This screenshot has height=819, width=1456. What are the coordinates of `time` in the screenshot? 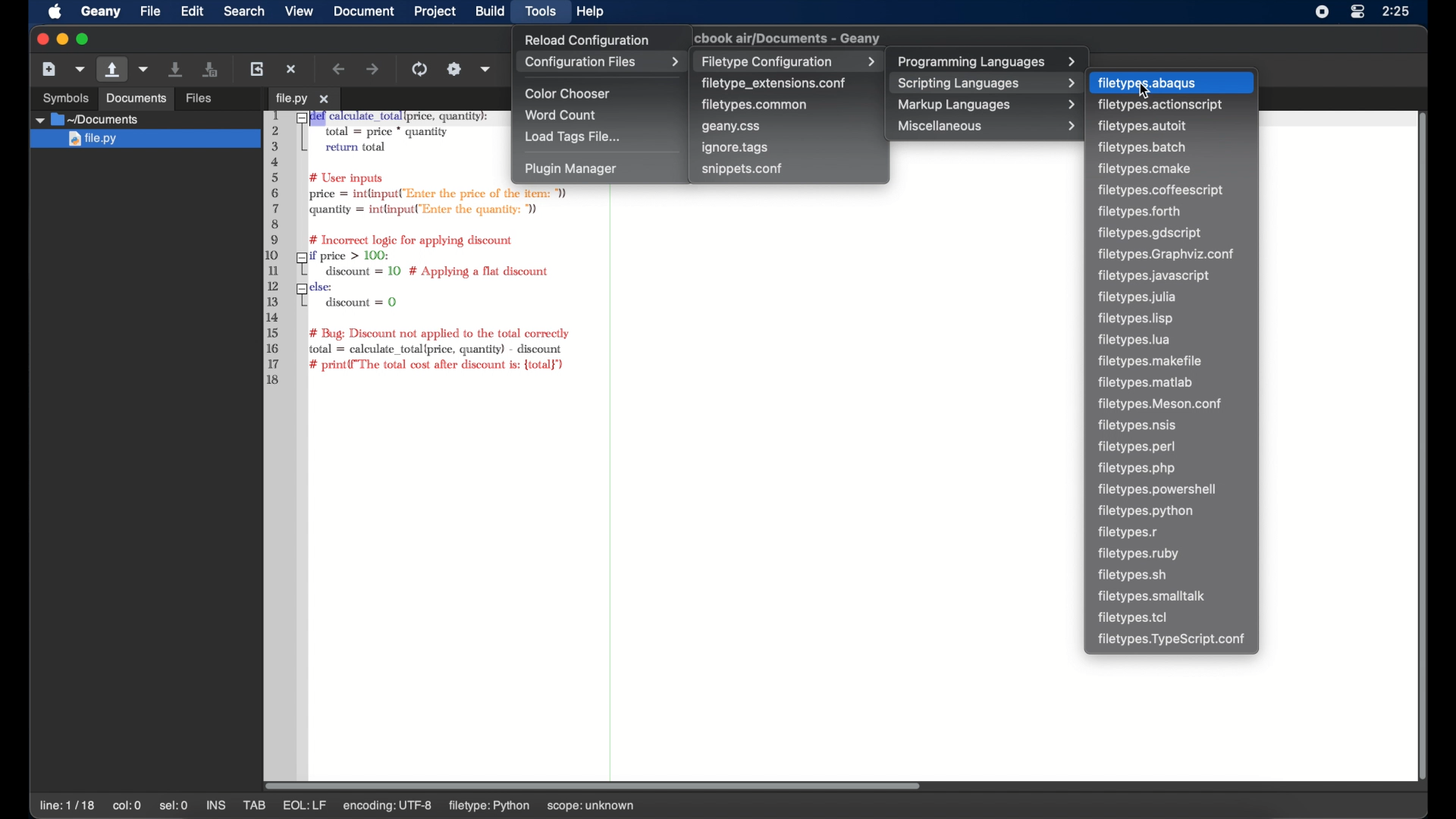 It's located at (1398, 11).